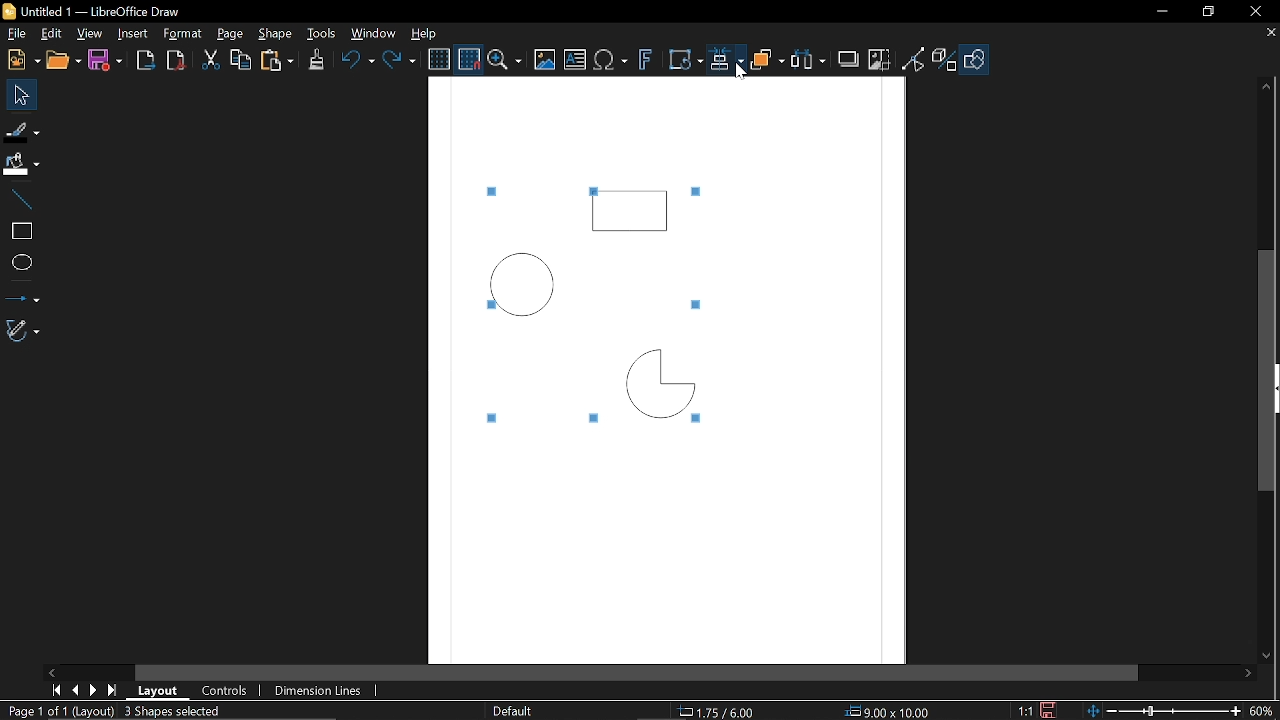 This screenshot has width=1280, height=720. What do you see at coordinates (1159, 710) in the screenshot?
I see `Change zoom` at bounding box center [1159, 710].